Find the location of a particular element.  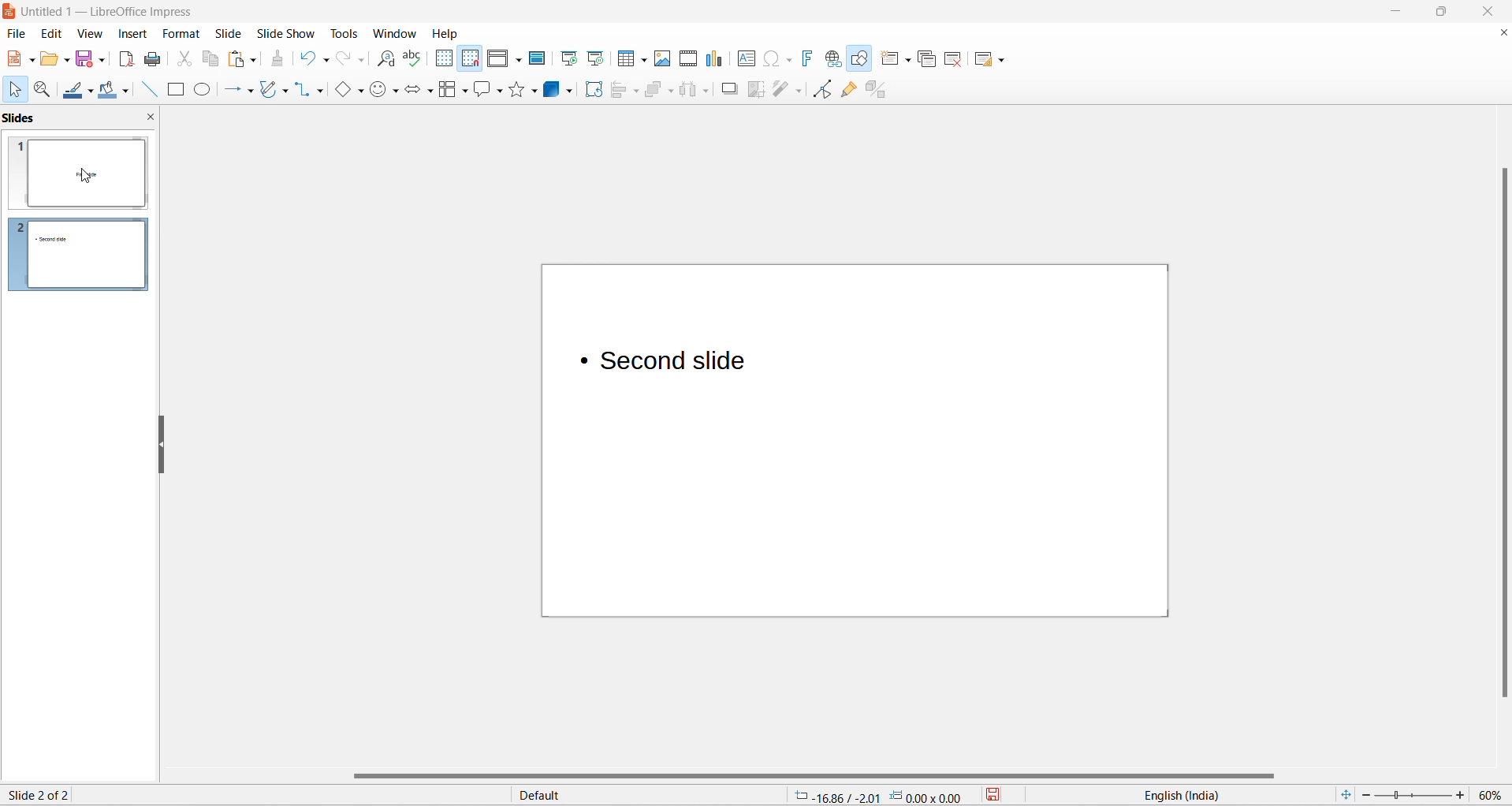

duplicate slide  is located at coordinates (928, 61).